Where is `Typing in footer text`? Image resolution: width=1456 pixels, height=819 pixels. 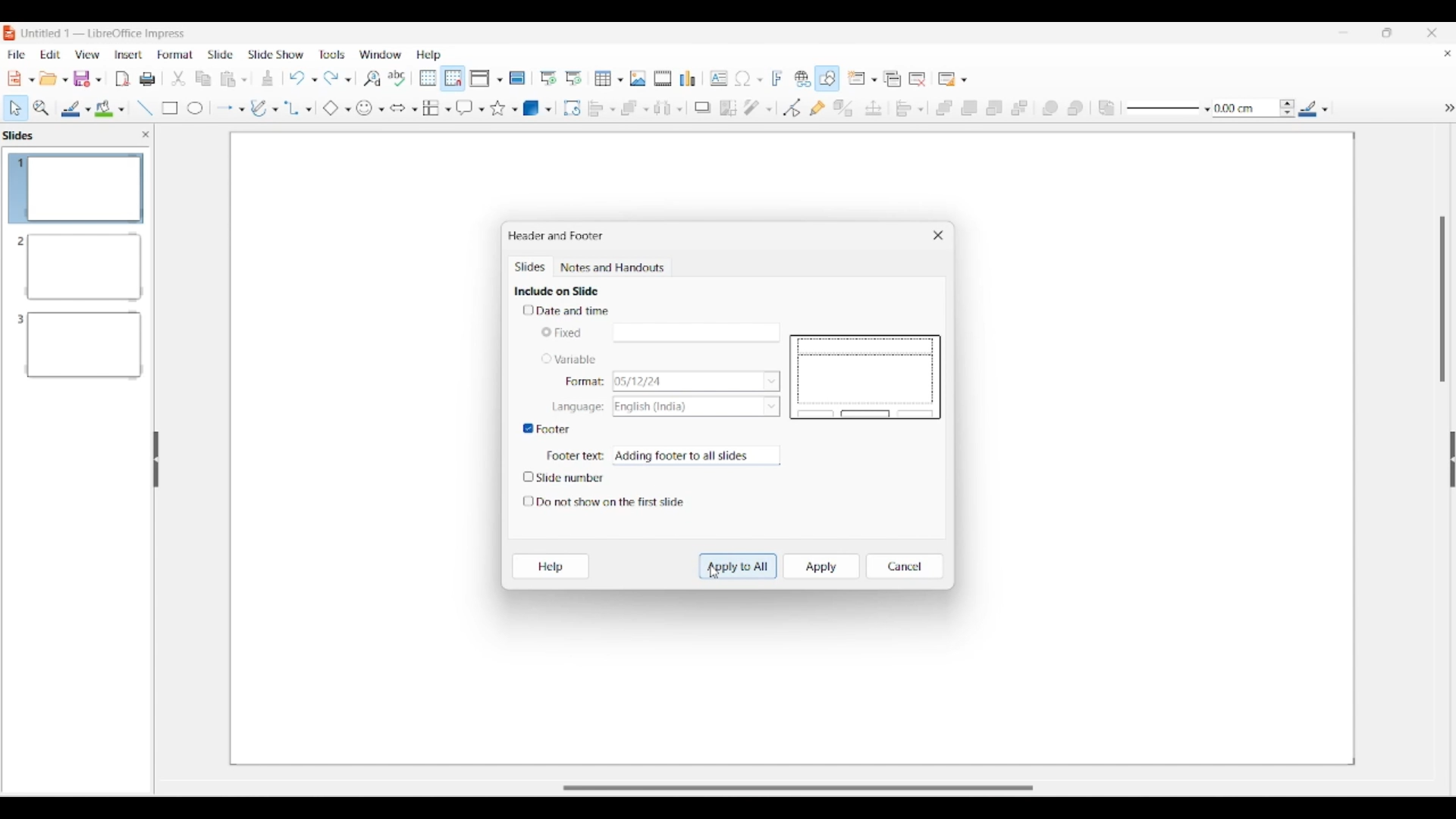
Typing in footer text is located at coordinates (615, 455).